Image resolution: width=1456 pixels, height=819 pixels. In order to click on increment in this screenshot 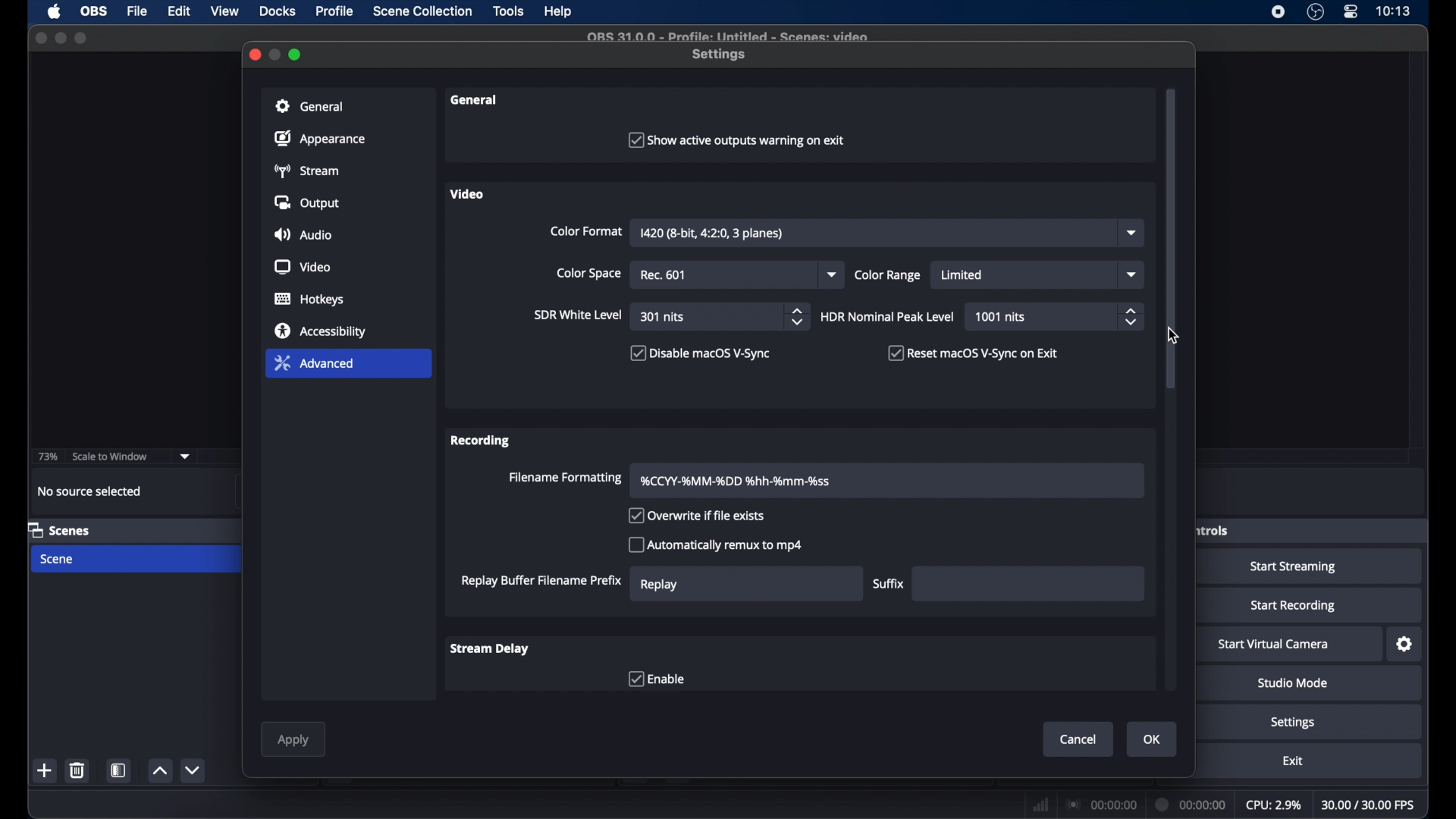, I will do `click(160, 771)`.